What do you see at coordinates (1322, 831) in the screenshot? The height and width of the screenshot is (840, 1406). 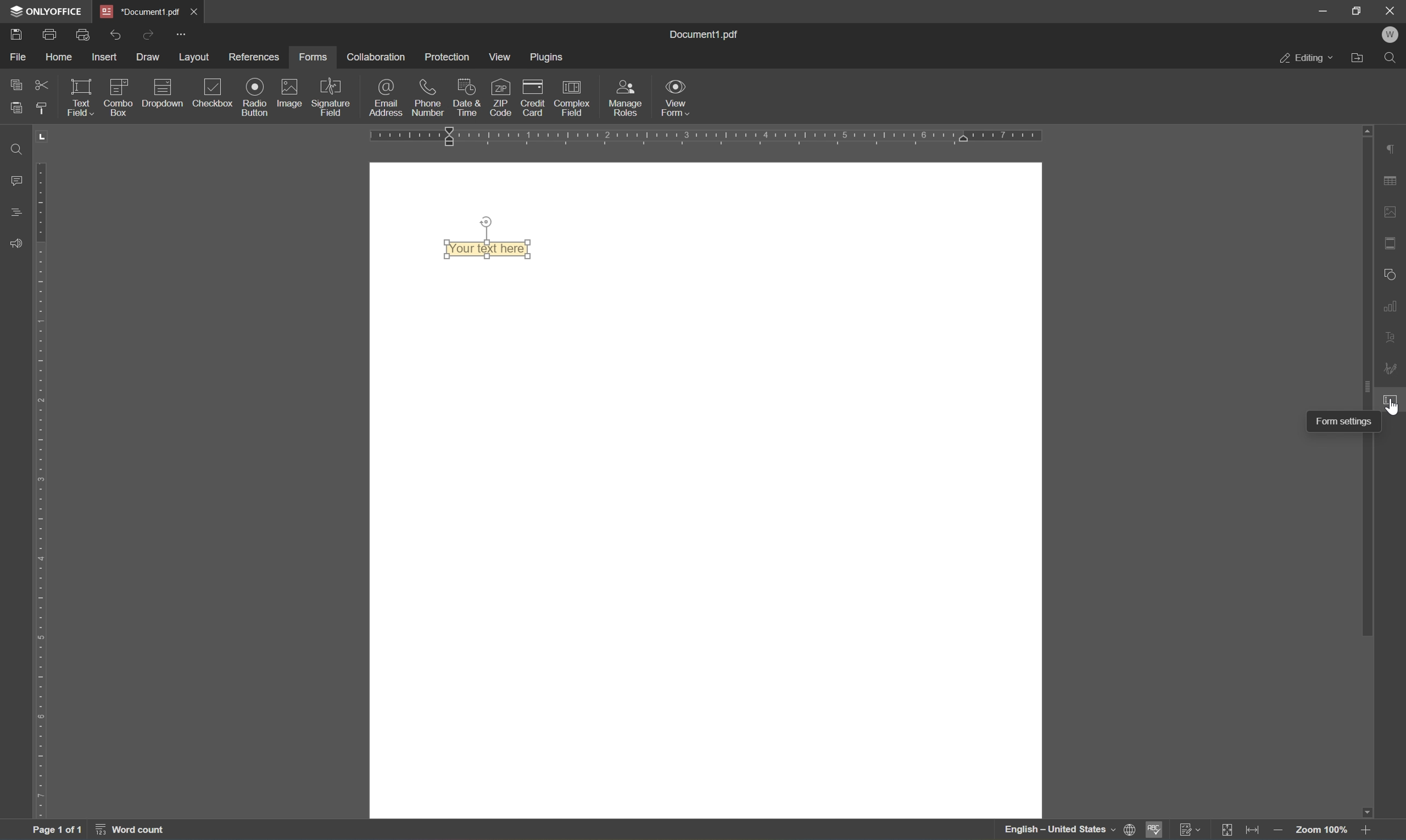 I see `zoom 100%` at bounding box center [1322, 831].